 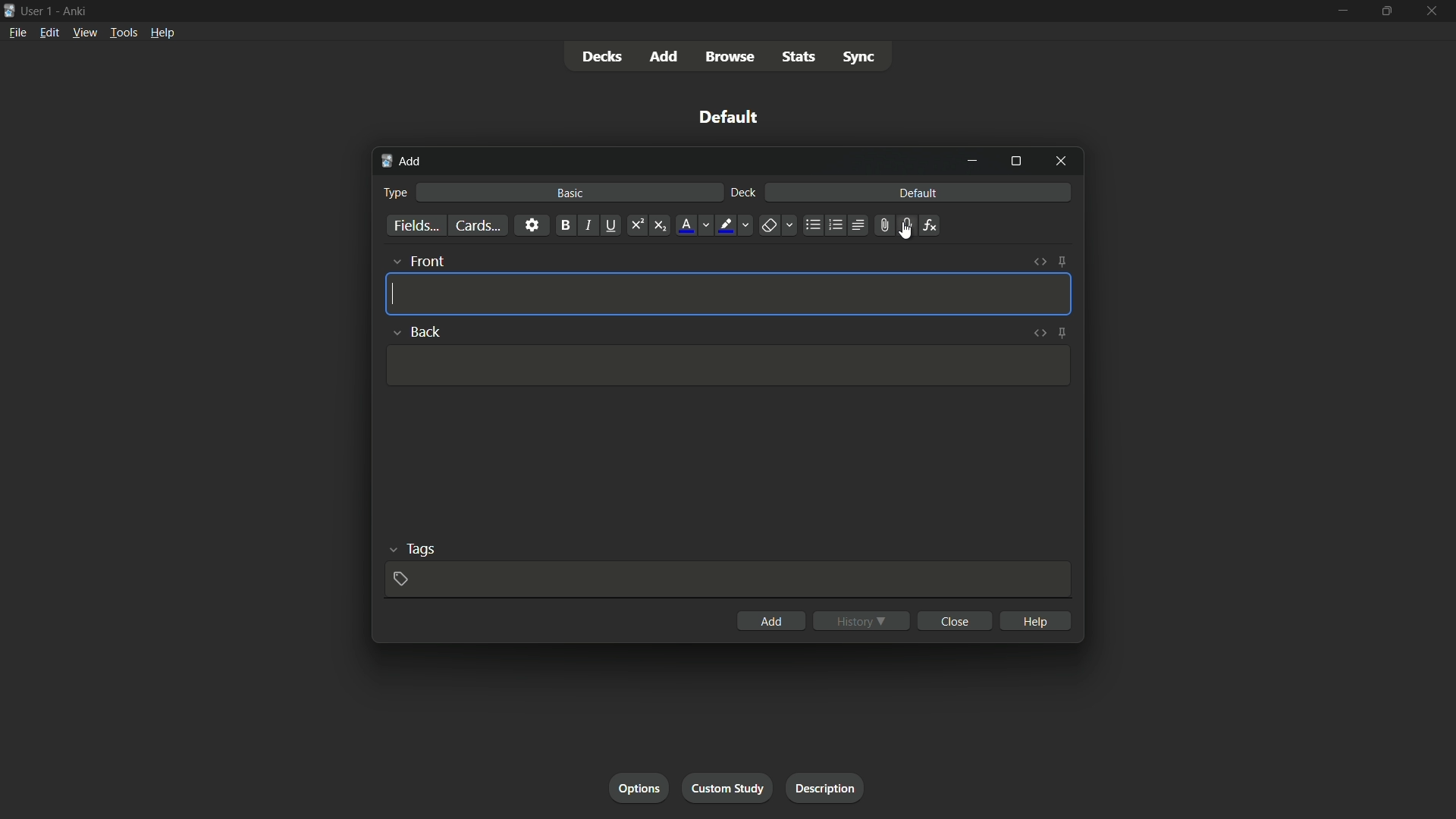 I want to click on back, so click(x=428, y=331).